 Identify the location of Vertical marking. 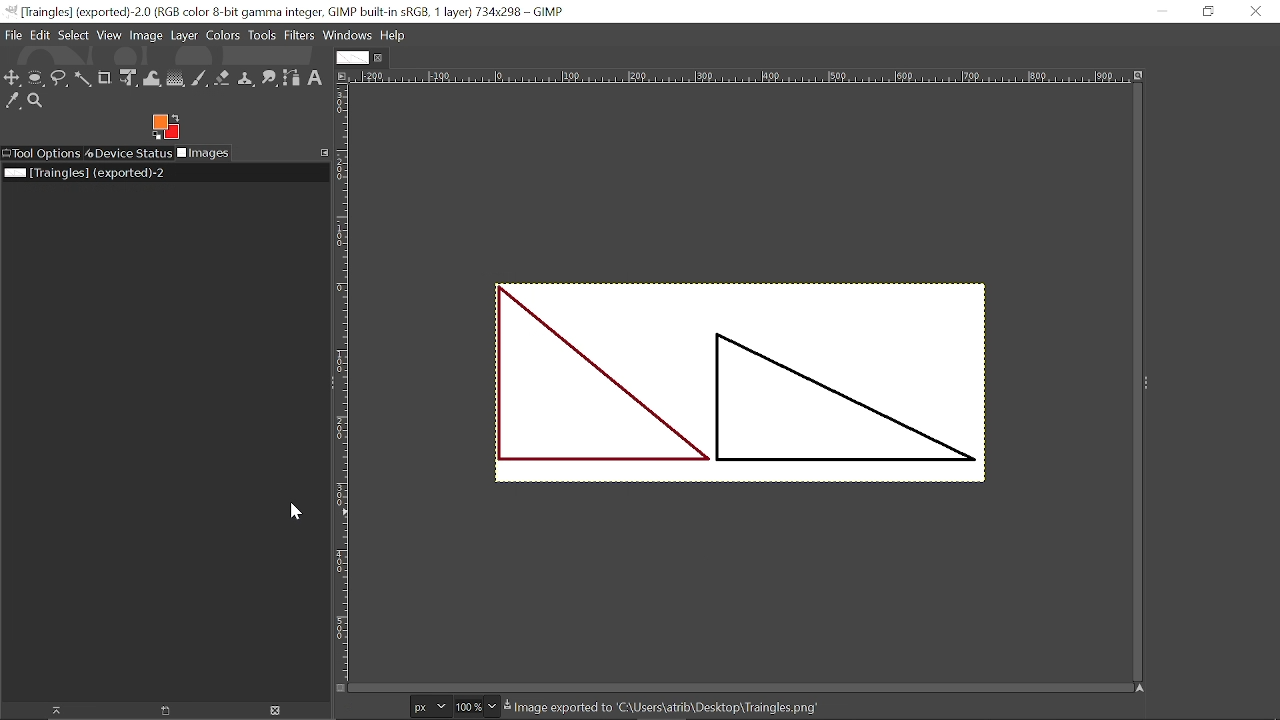
(343, 381).